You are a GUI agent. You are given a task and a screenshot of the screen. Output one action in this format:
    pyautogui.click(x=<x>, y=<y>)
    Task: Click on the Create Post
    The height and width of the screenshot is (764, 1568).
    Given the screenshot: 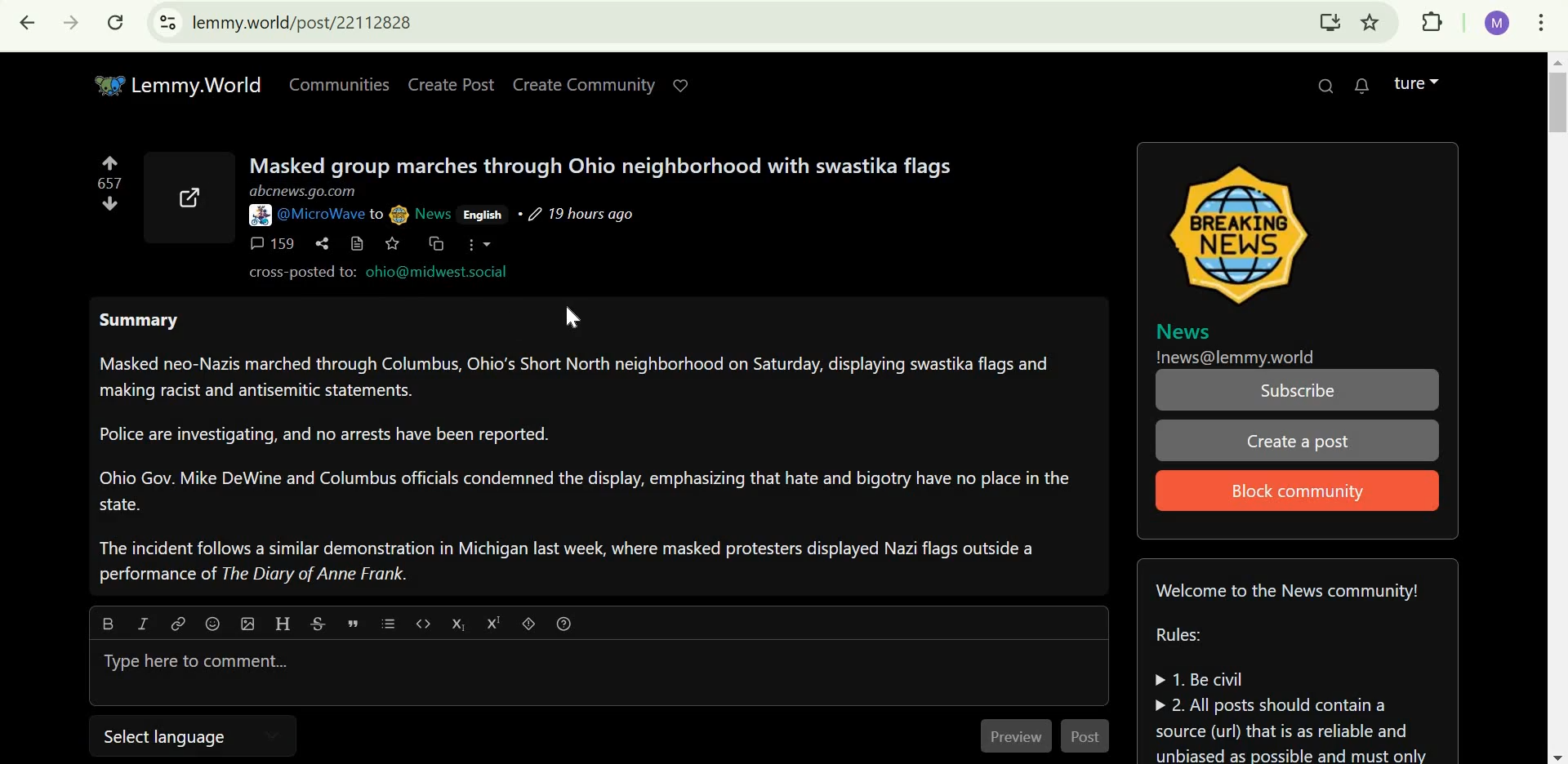 What is the action you would take?
    pyautogui.click(x=453, y=83)
    